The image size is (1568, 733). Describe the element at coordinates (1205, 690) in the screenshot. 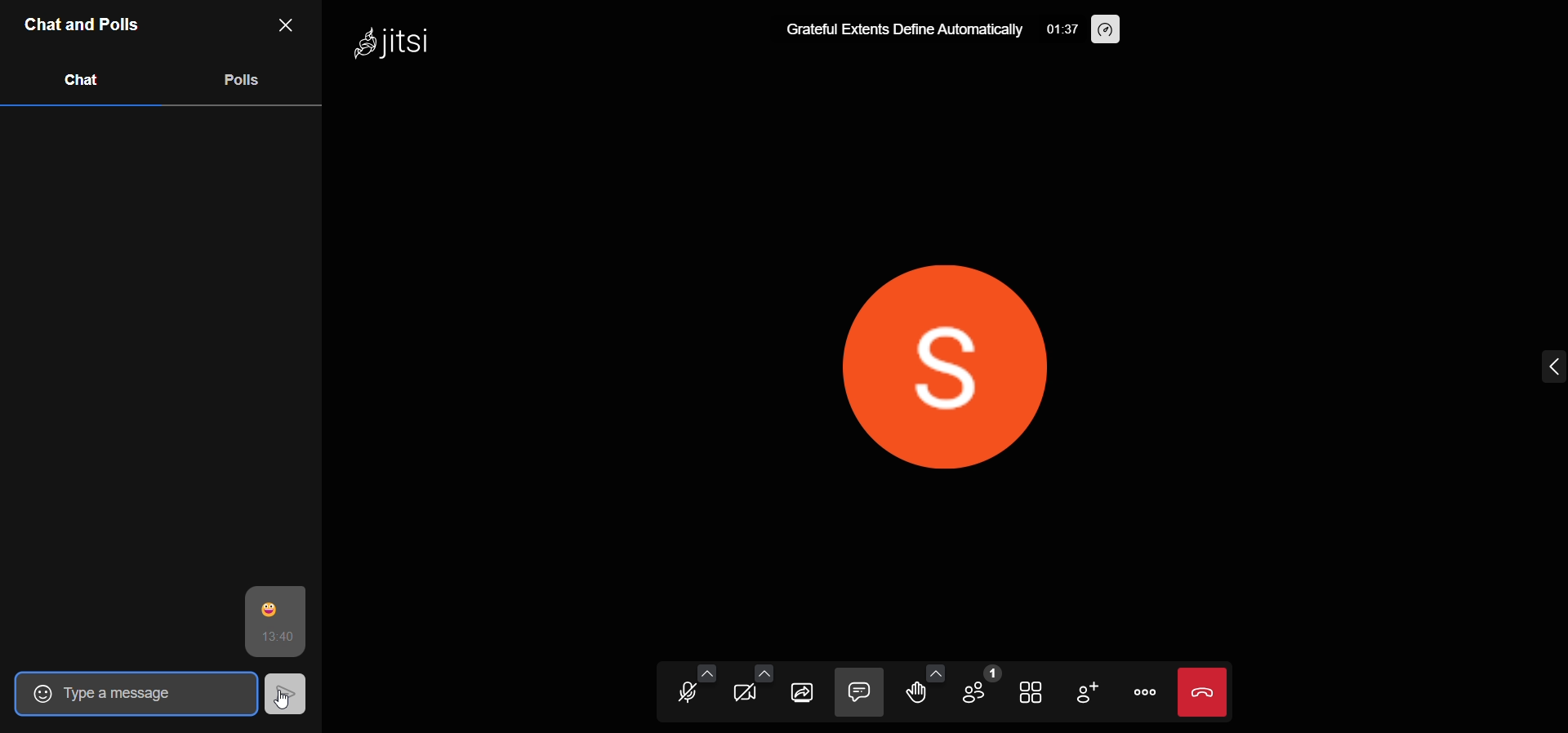

I see `leave the meeting` at that location.